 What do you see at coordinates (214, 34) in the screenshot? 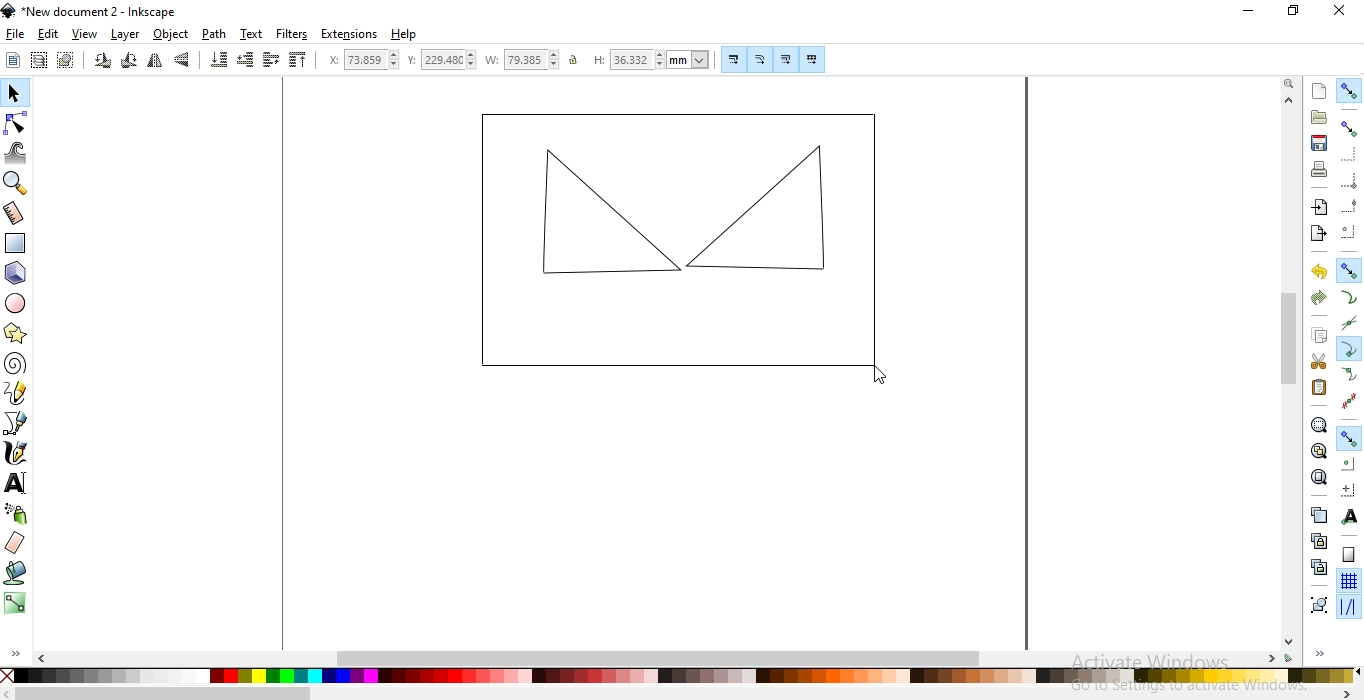
I see `path` at bounding box center [214, 34].